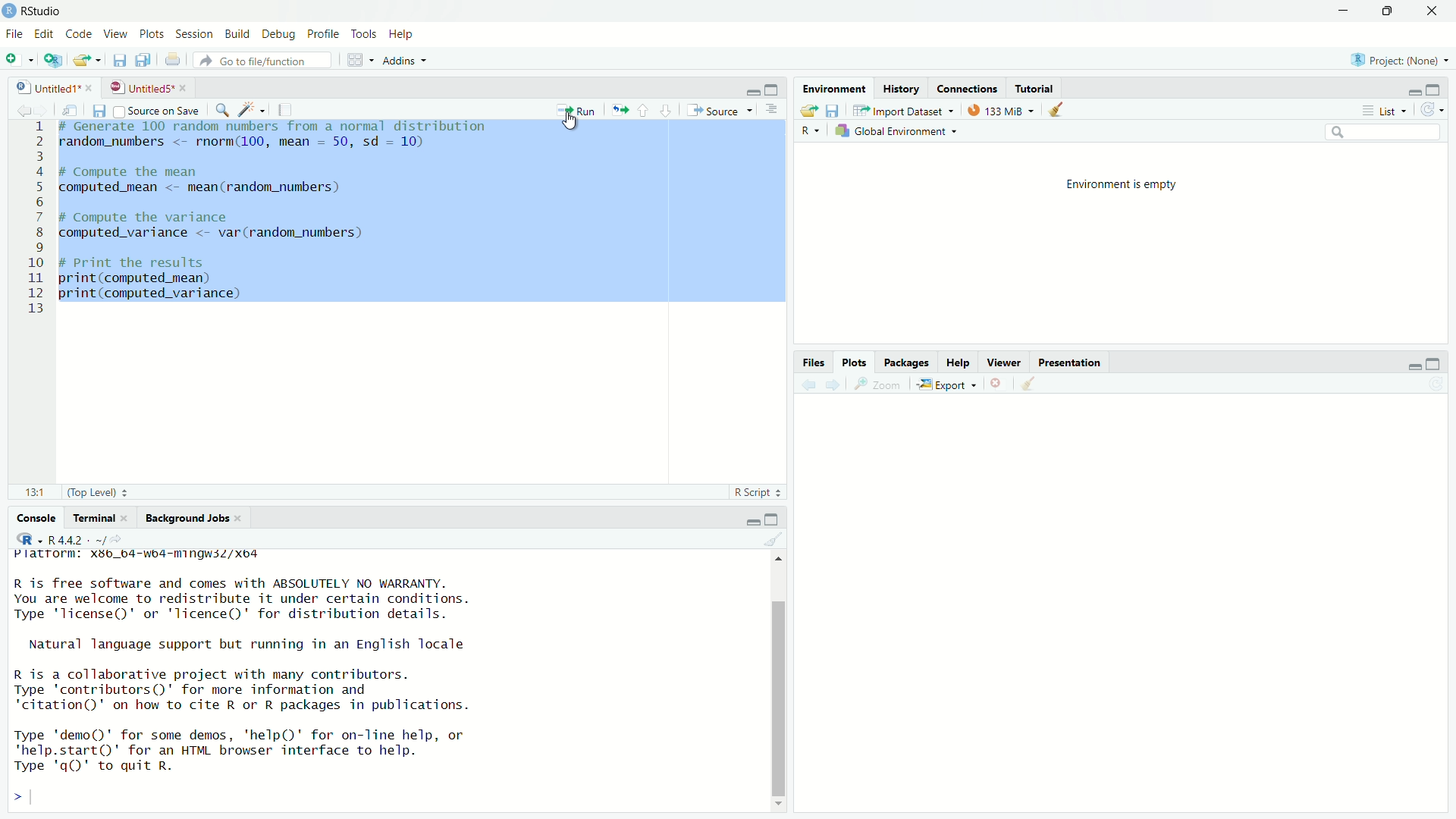  I want to click on create a project, so click(56, 60).